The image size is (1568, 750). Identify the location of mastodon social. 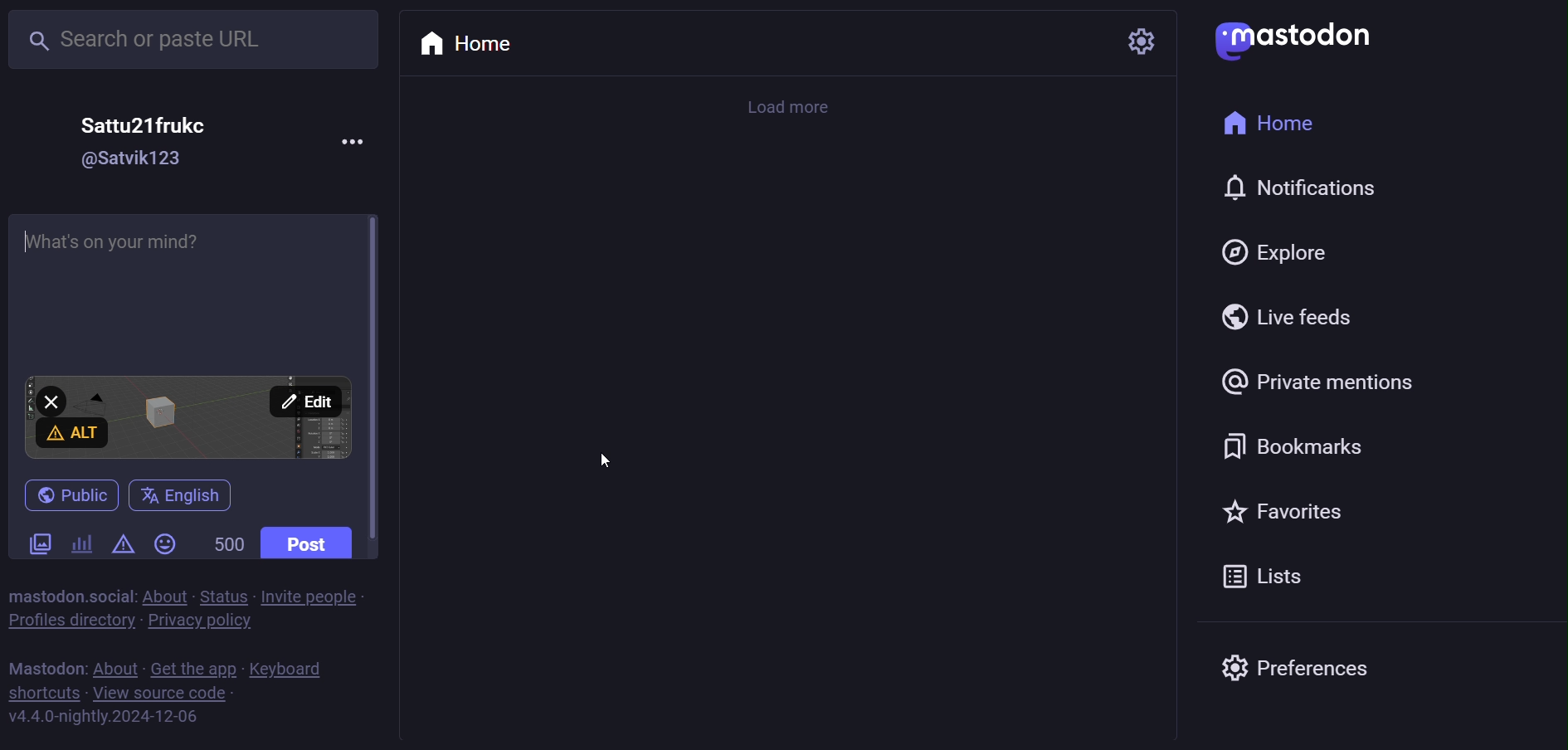
(67, 594).